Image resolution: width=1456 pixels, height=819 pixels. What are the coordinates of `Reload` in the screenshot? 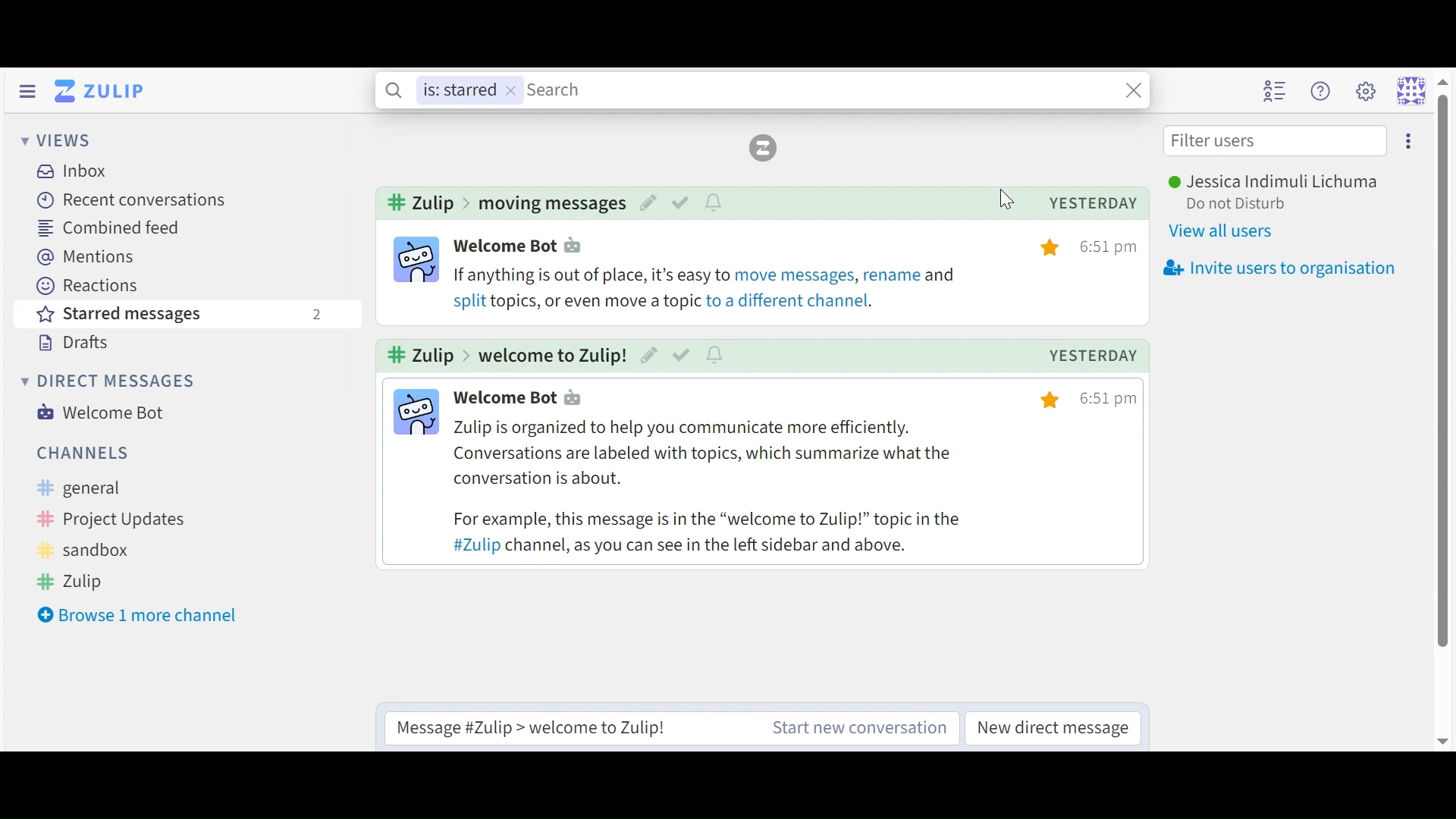 It's located at (763, 146).